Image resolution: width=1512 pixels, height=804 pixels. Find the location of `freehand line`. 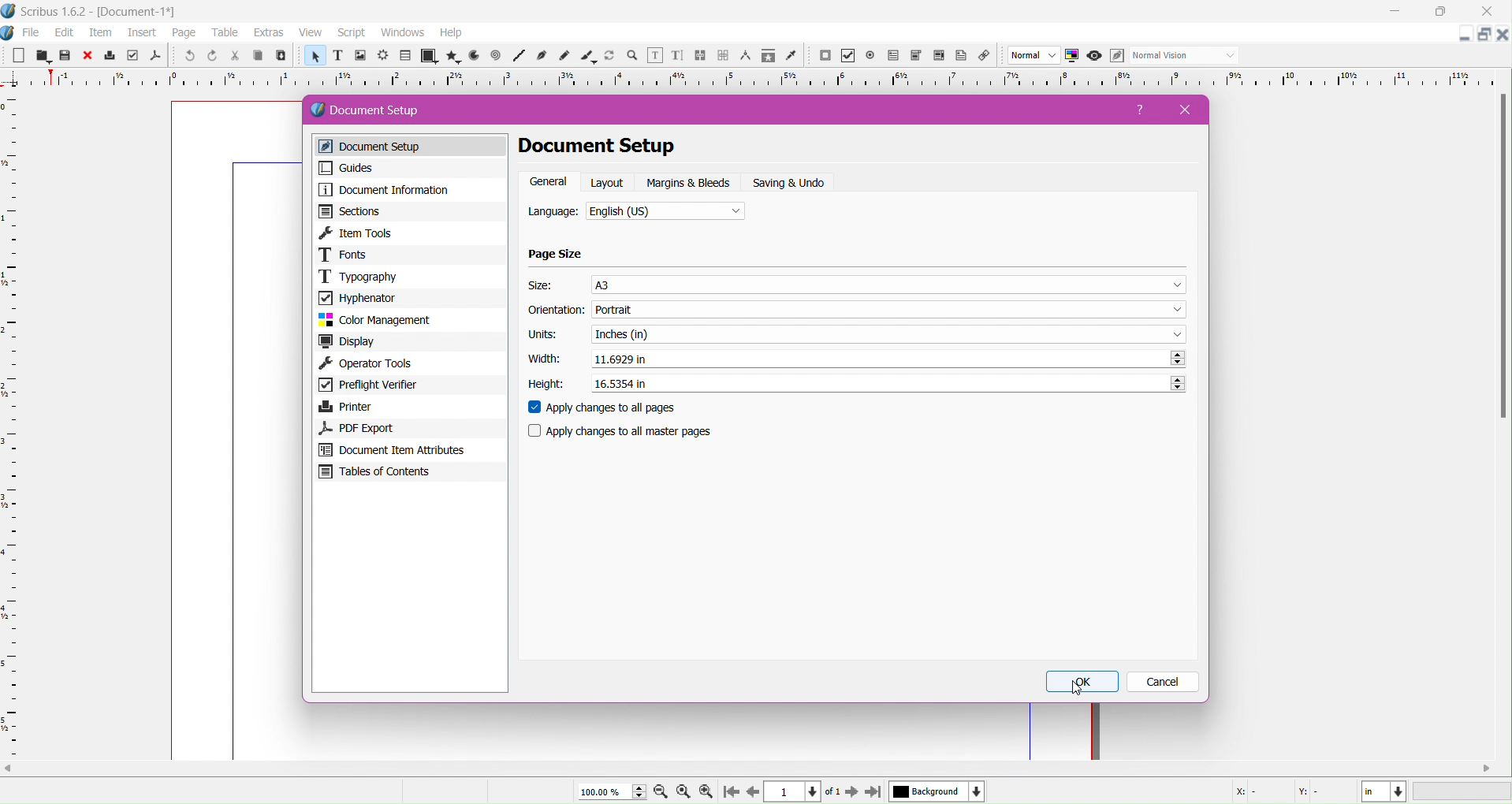

freehand line is located at coordinates (566, 57).